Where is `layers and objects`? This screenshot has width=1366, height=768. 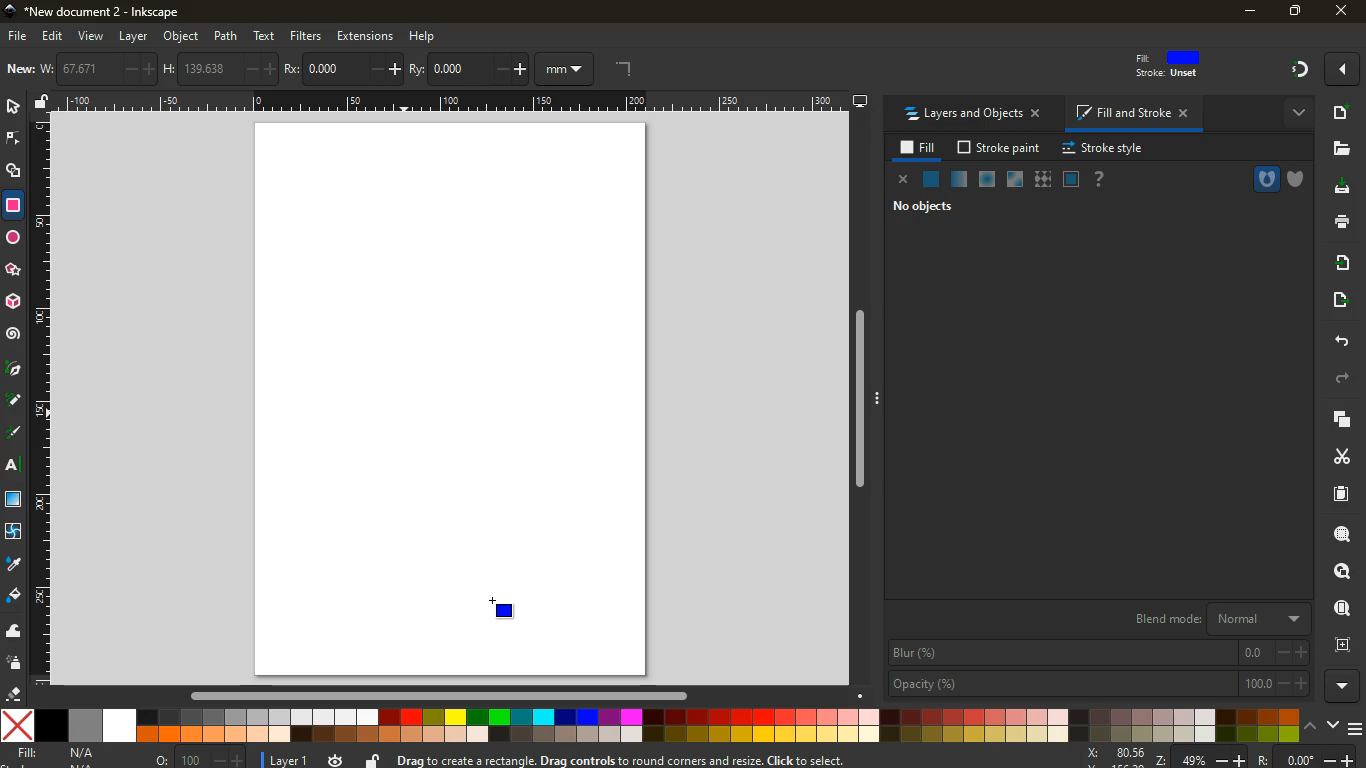 layers and objects is located at coordinates (972, 115).